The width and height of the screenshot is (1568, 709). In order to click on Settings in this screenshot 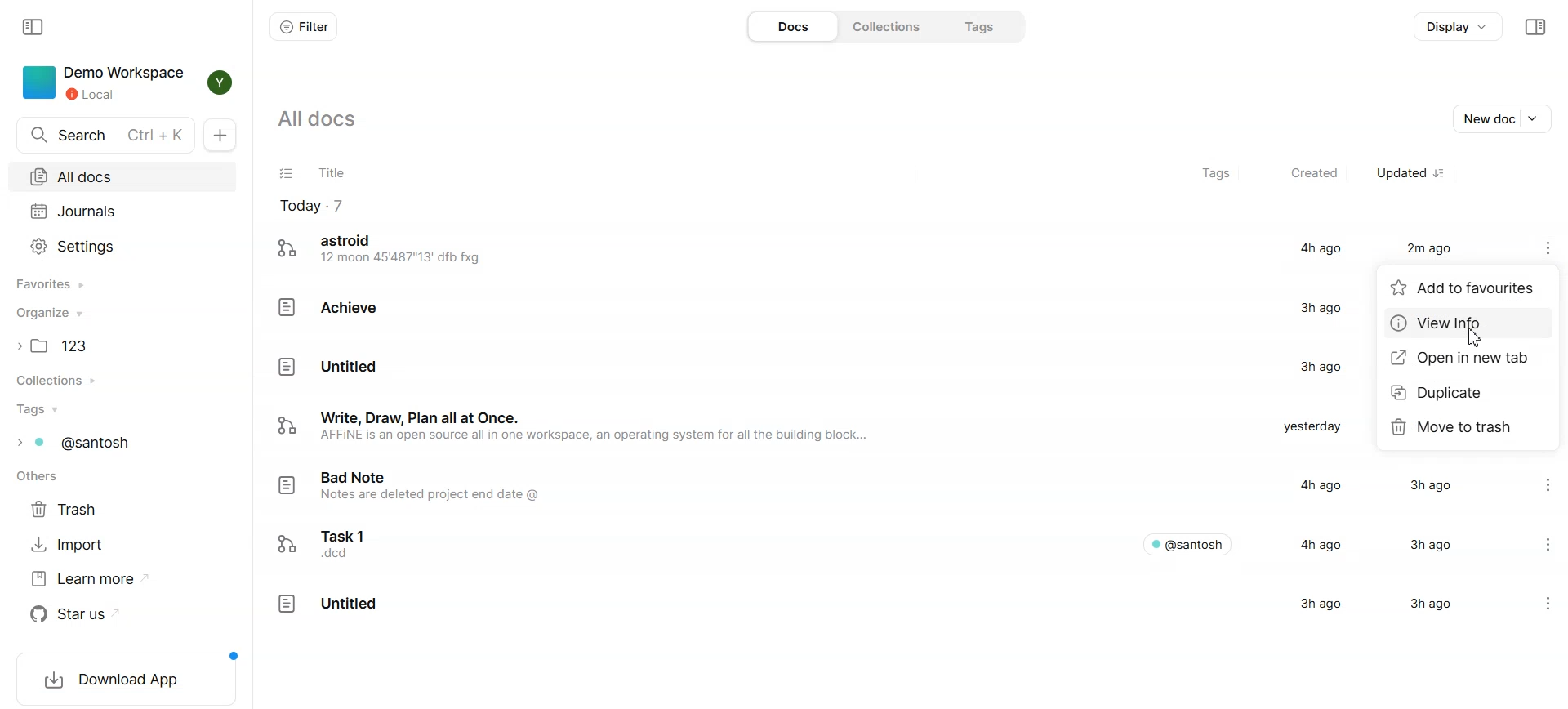, I will do `click(1535, 541)`.